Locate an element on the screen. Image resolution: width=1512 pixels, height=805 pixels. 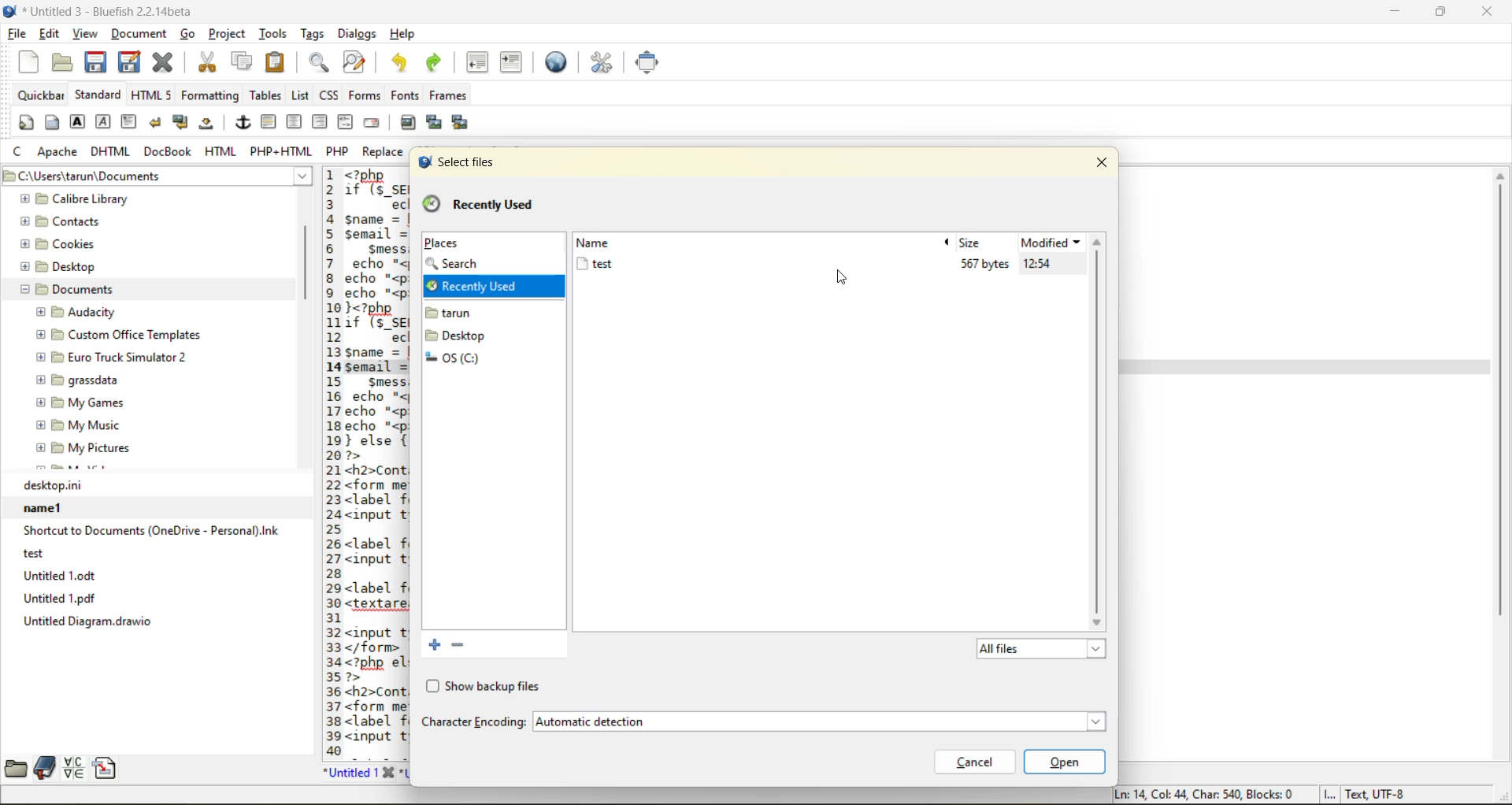
standard is located at coordinates (98, 95).